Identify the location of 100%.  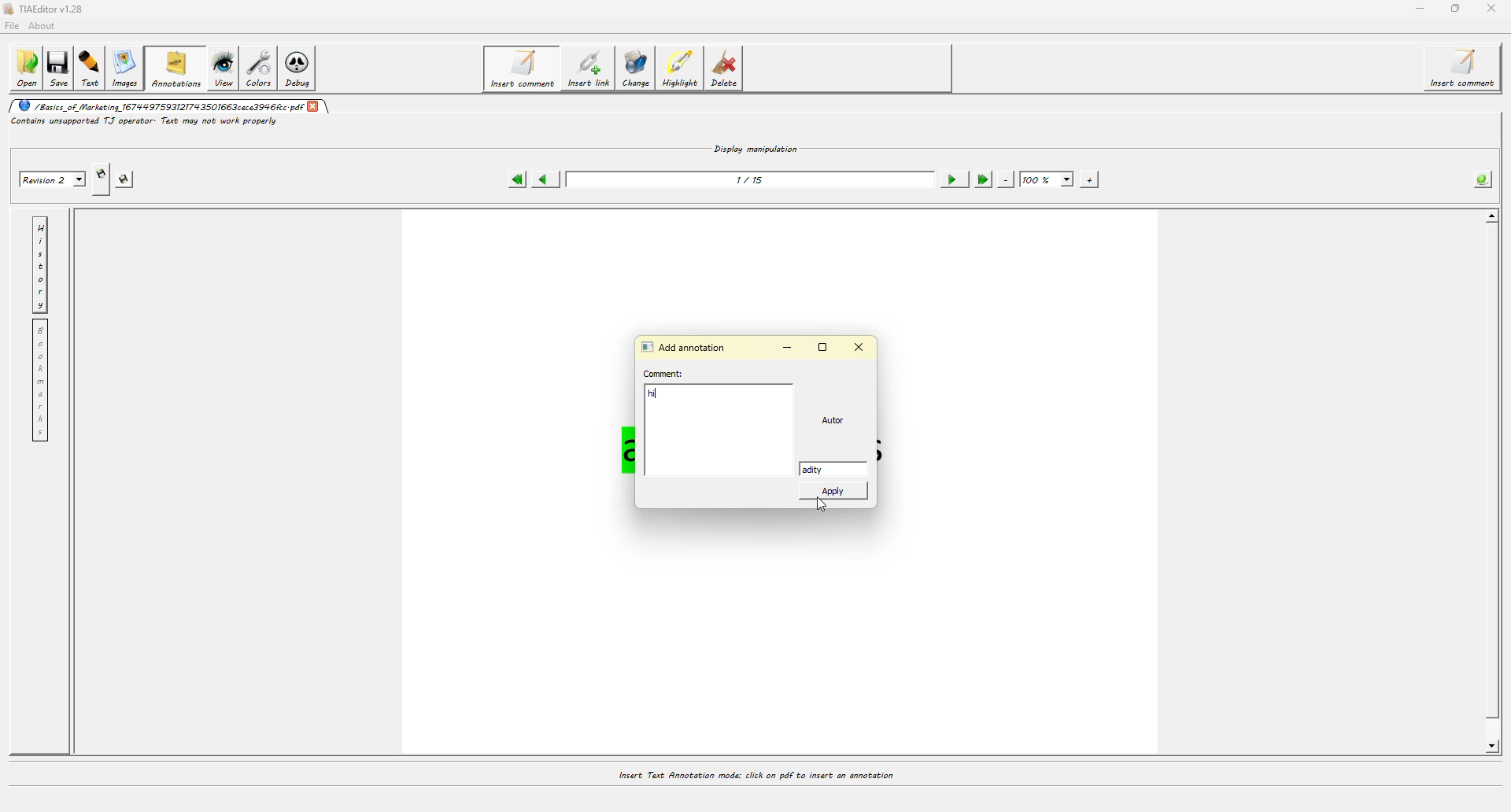
(1047, 180).